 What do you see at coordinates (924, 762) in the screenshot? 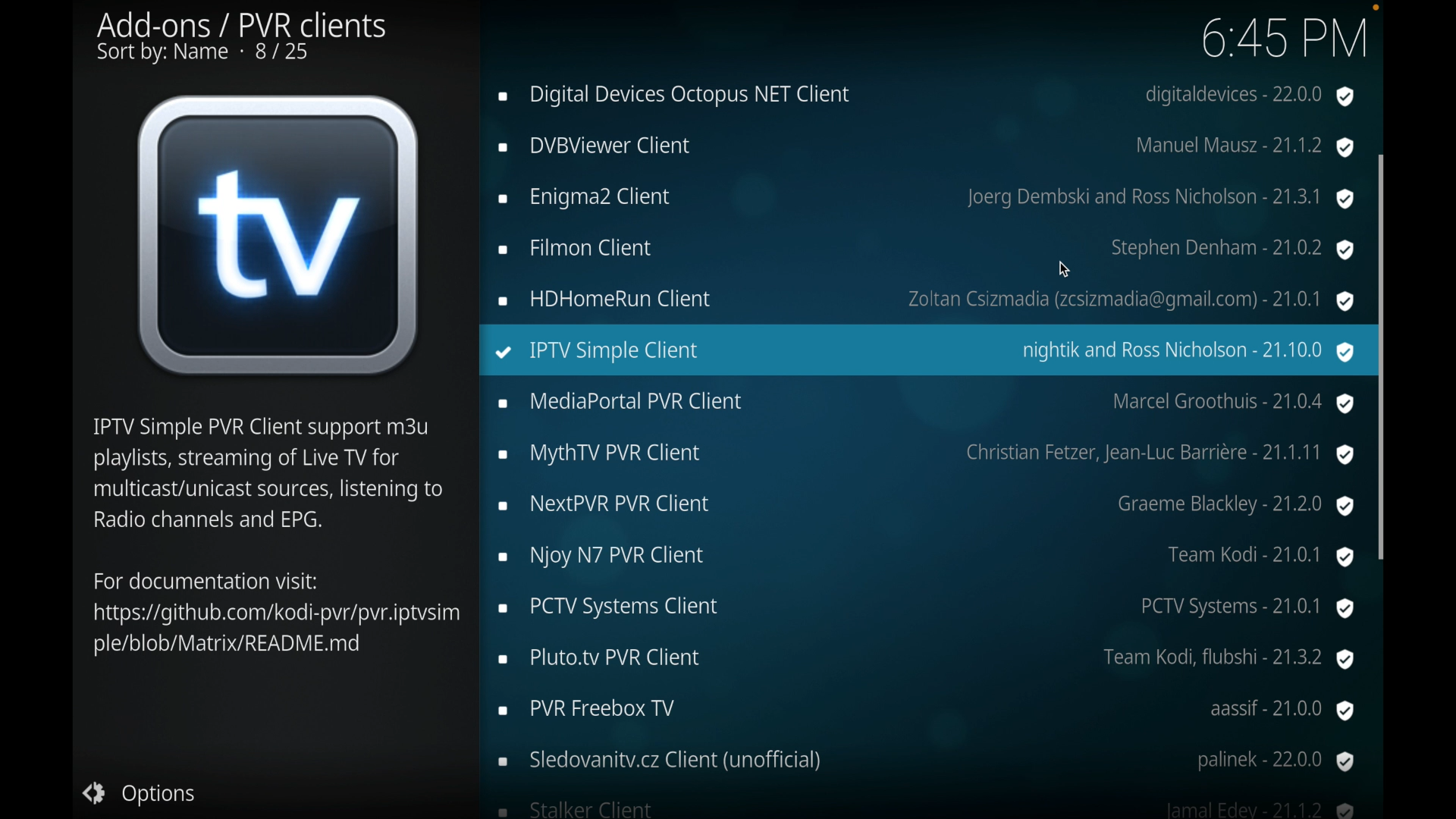
I see `sledovantiv.cz client (unofficial)` at bounding box center [924, 762].